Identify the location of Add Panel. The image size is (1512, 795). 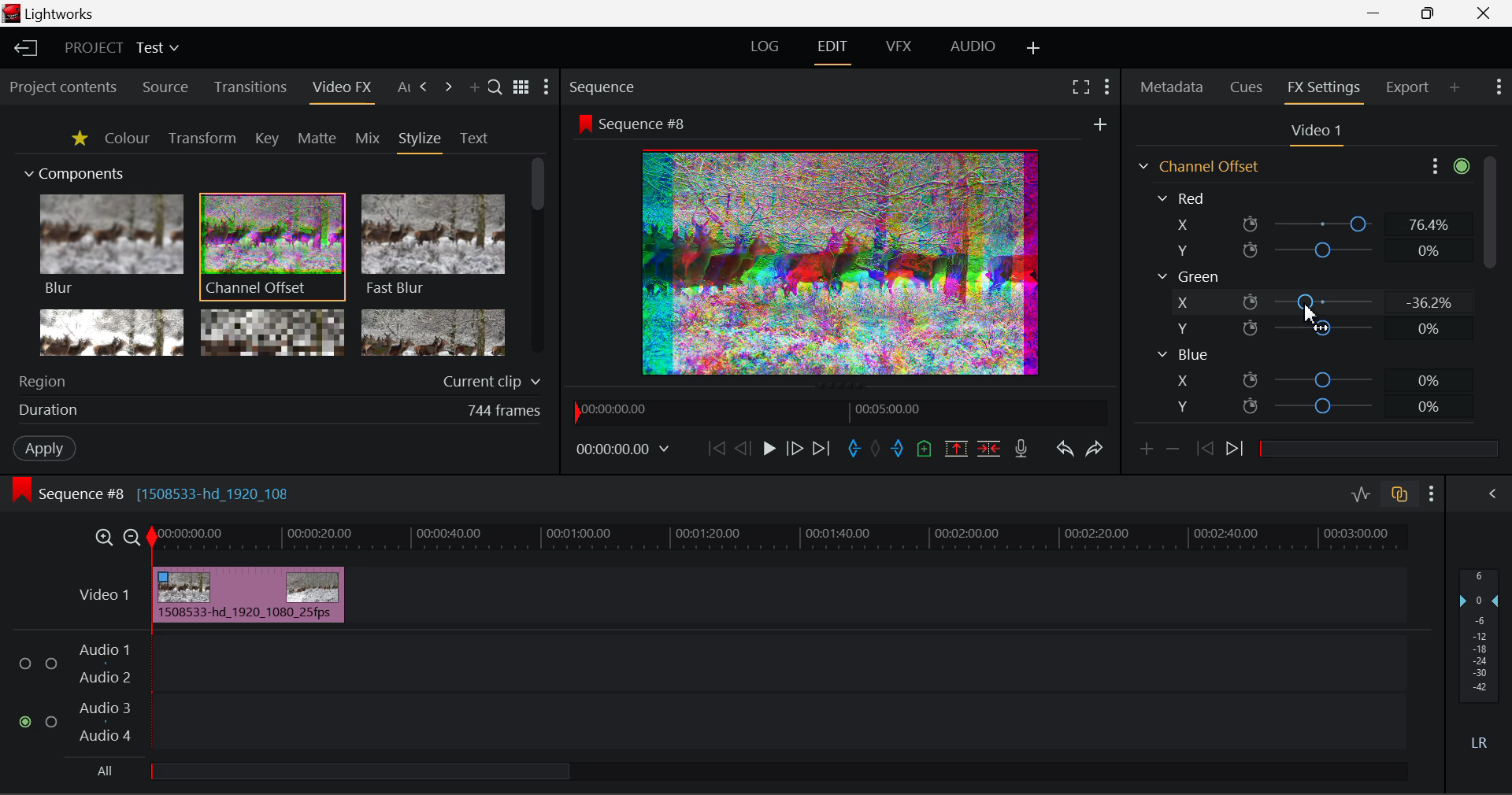
(1454, 88).